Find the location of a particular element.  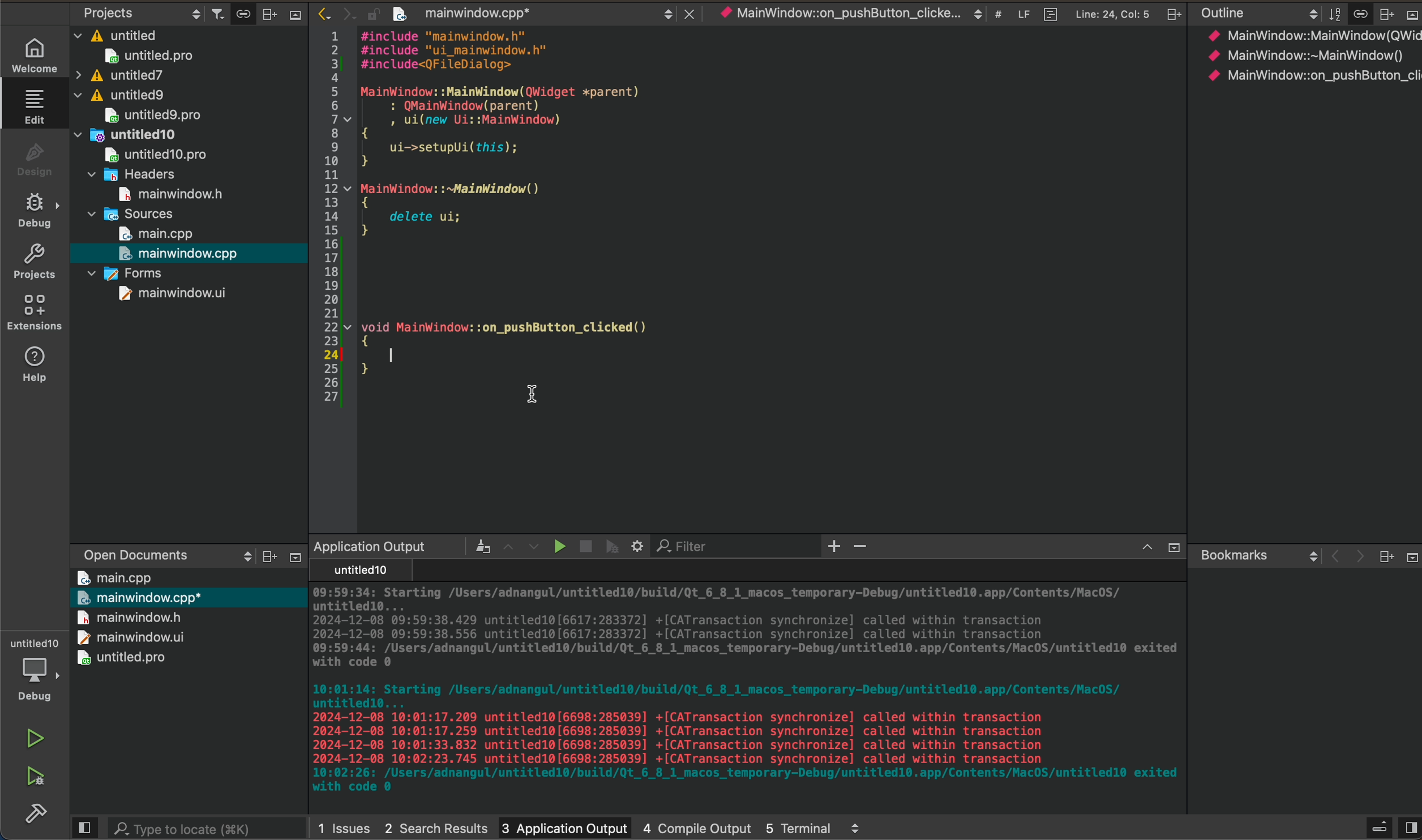

 is located at coordinates (856, 828).